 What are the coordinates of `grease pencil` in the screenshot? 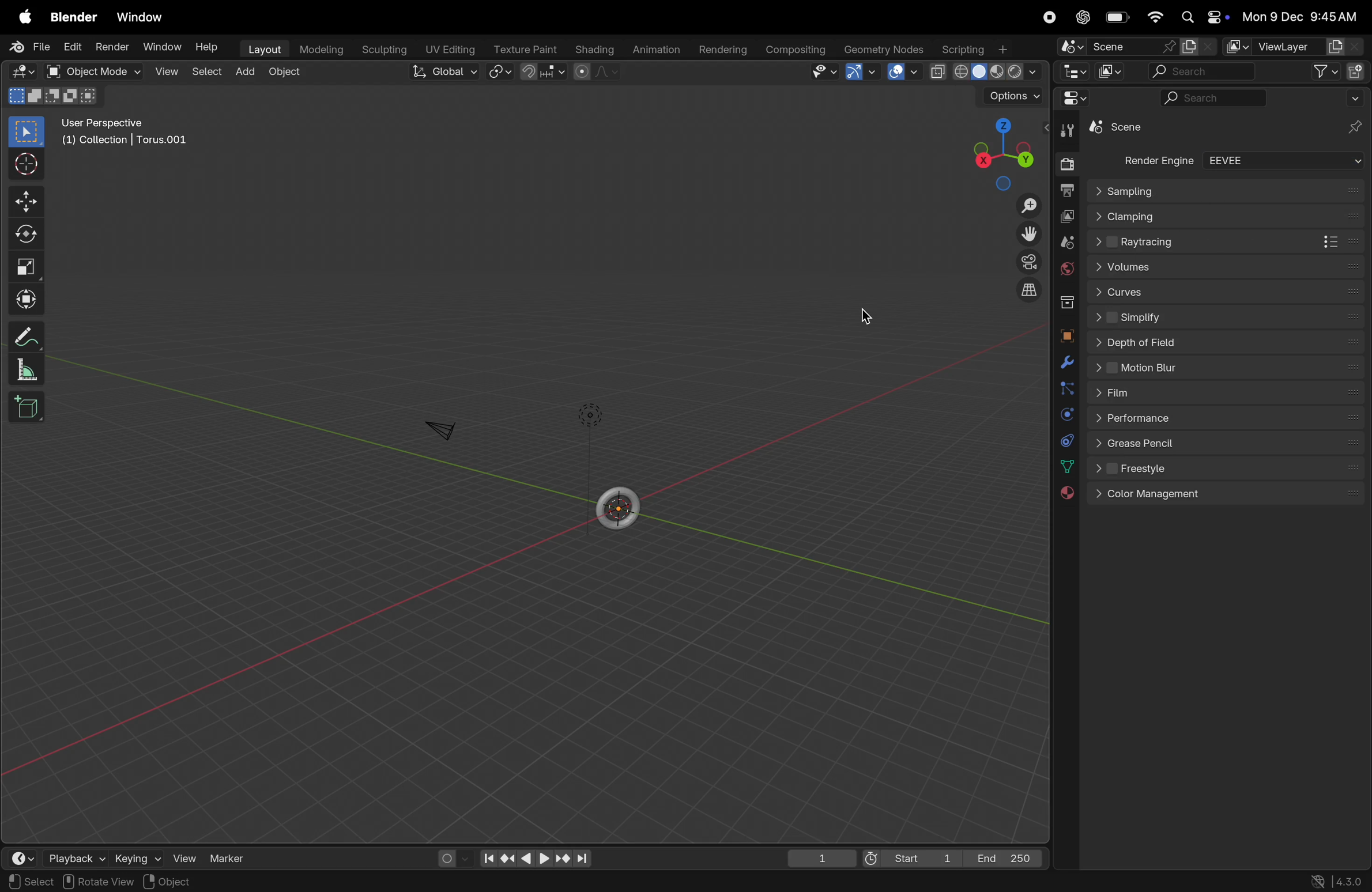 It's located at (1230, 447).